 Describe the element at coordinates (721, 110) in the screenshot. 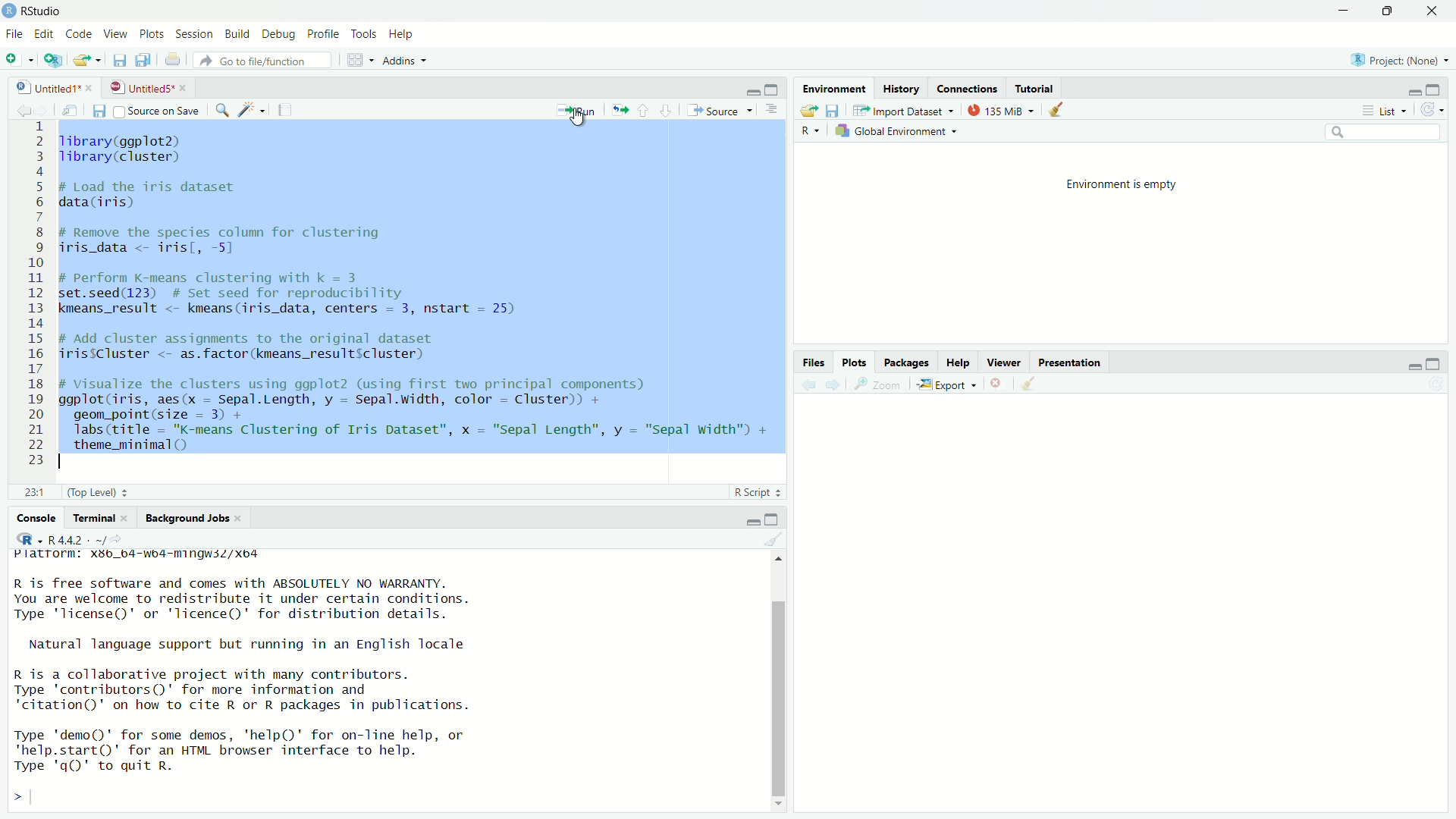

I see `source` at that location.